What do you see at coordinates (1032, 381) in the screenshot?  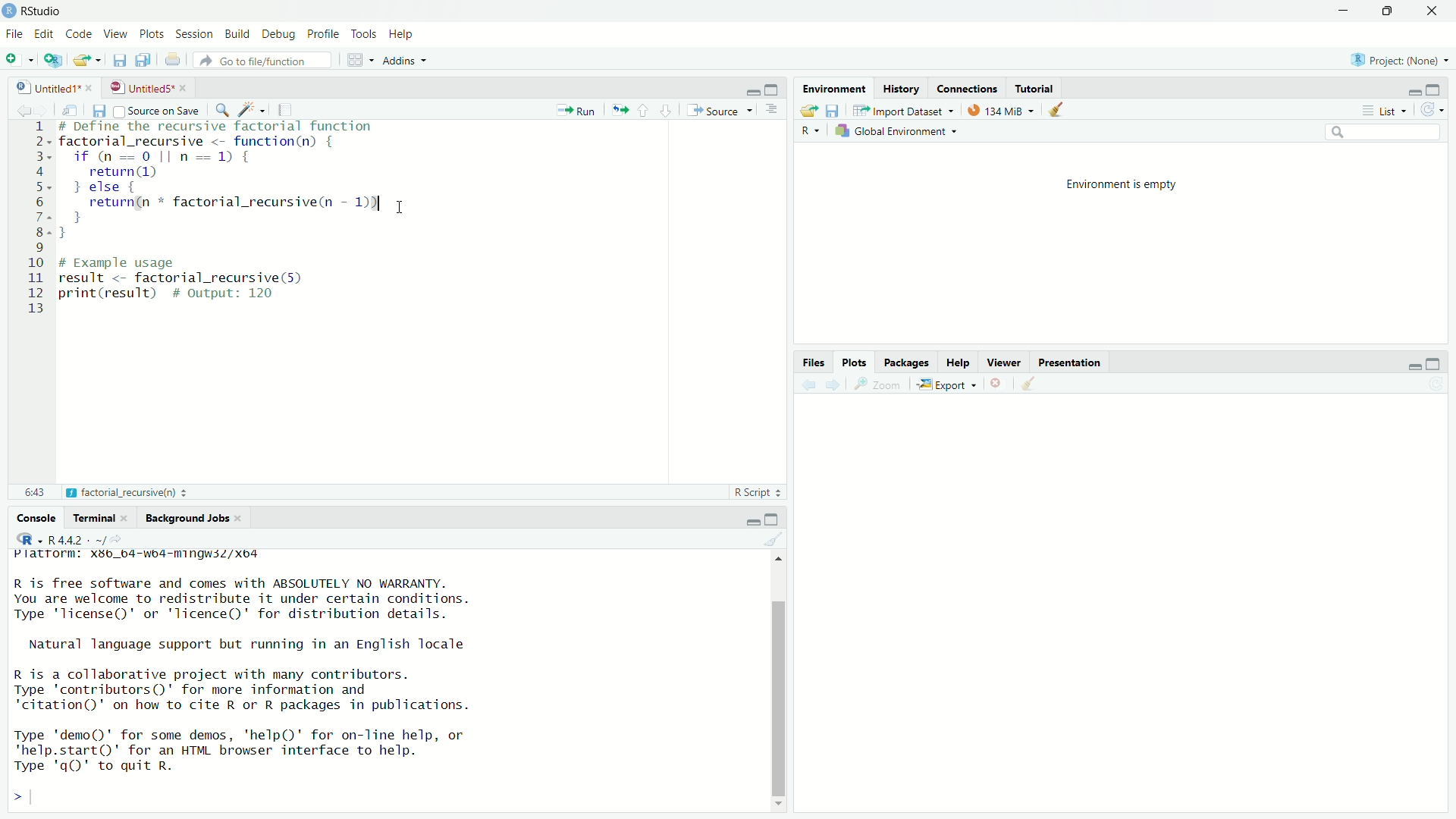 I see `Clear console (Ctrl +L)` at bounding box center [1032, 381].